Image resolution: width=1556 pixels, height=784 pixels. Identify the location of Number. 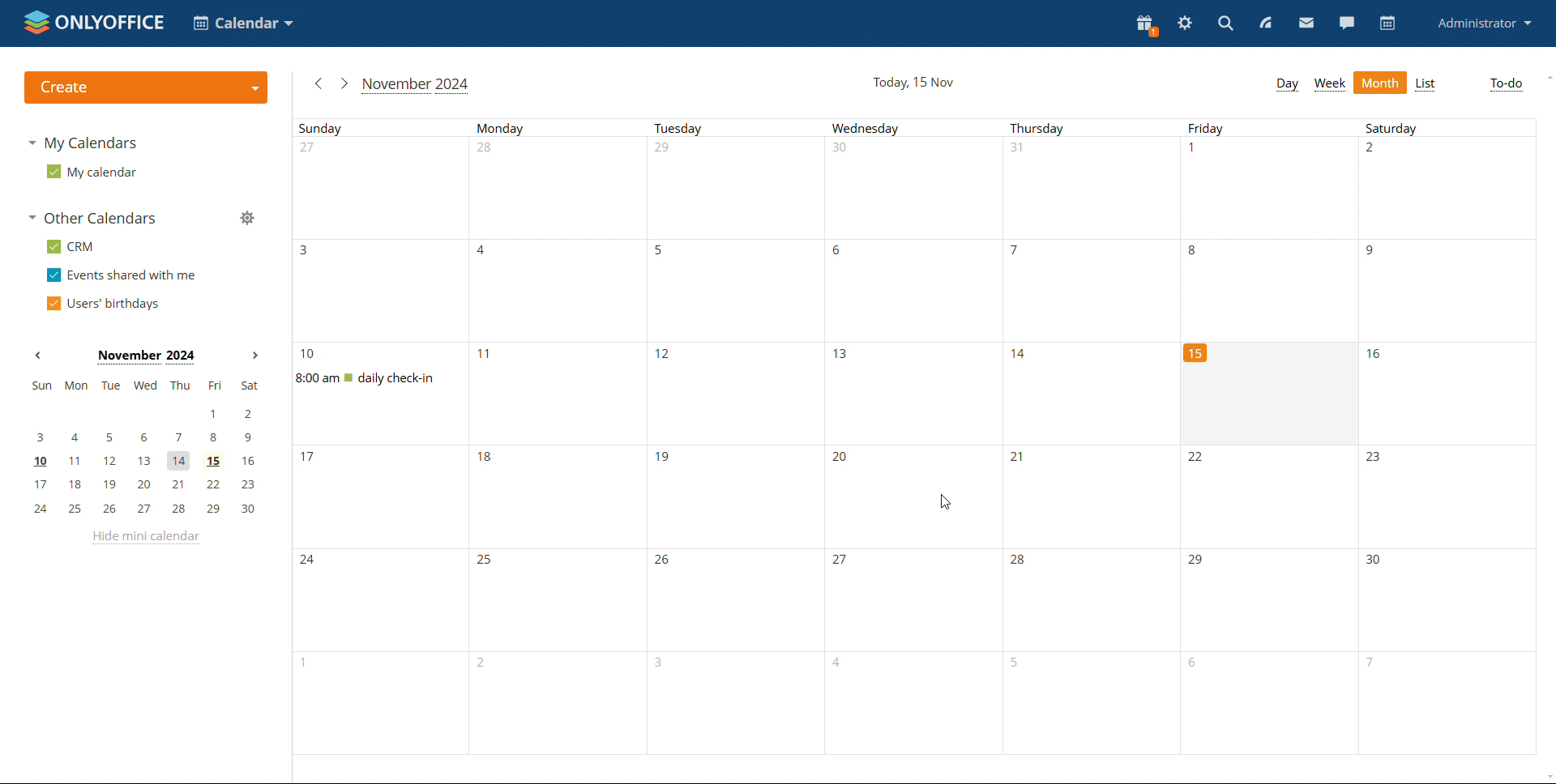
(845, 564).